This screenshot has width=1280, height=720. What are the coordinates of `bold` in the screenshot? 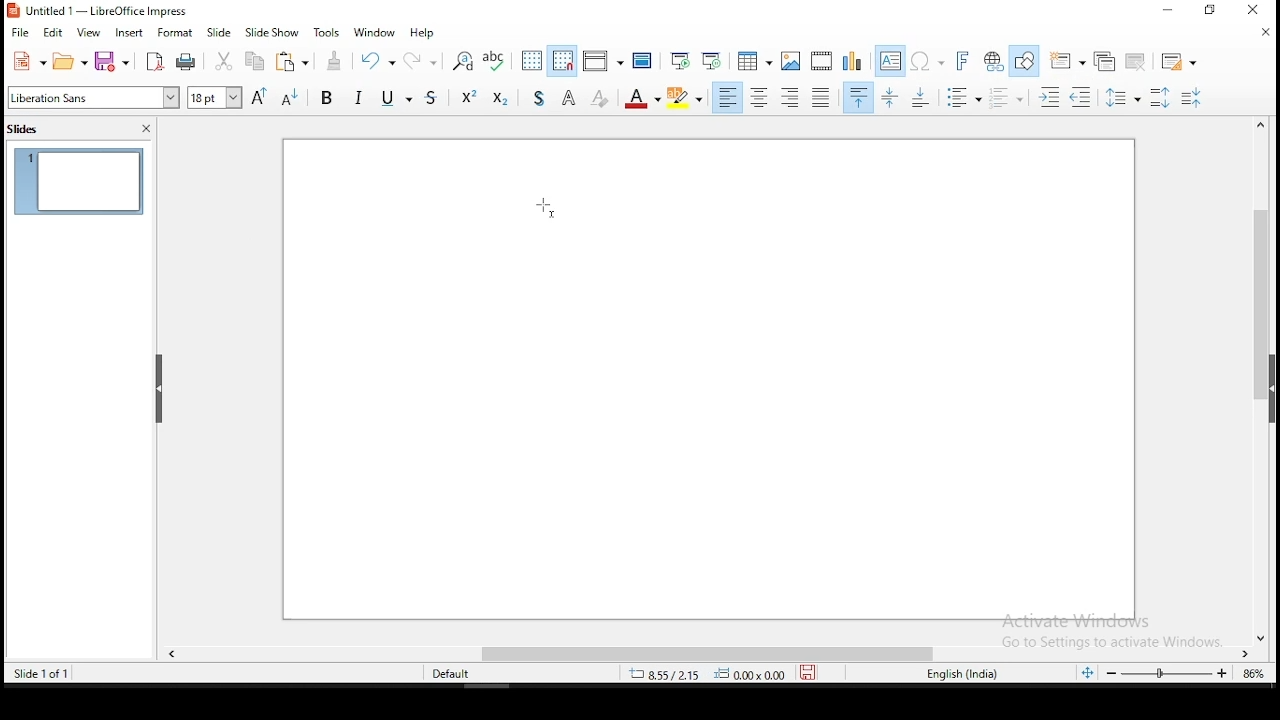 It's located at (328, 101).